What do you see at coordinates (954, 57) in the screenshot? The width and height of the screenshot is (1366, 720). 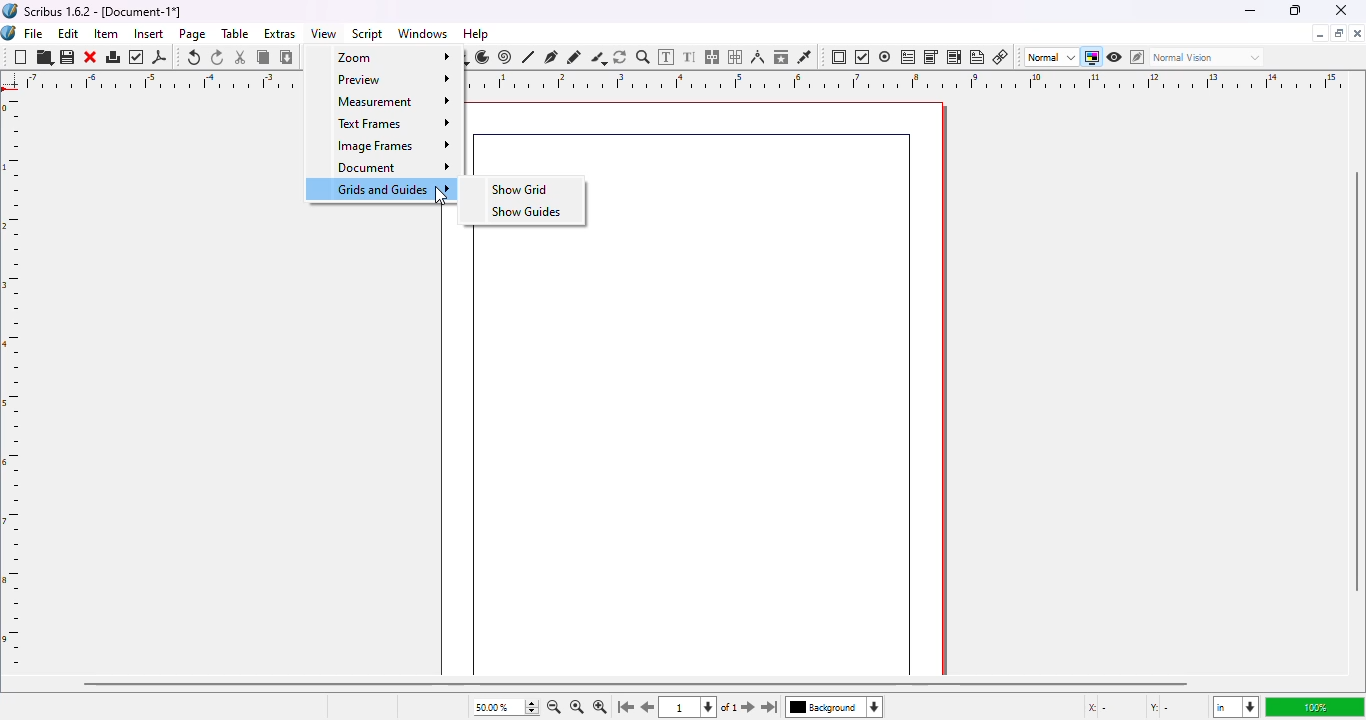 I see `PDF list box` at bounding box center [954, 57].